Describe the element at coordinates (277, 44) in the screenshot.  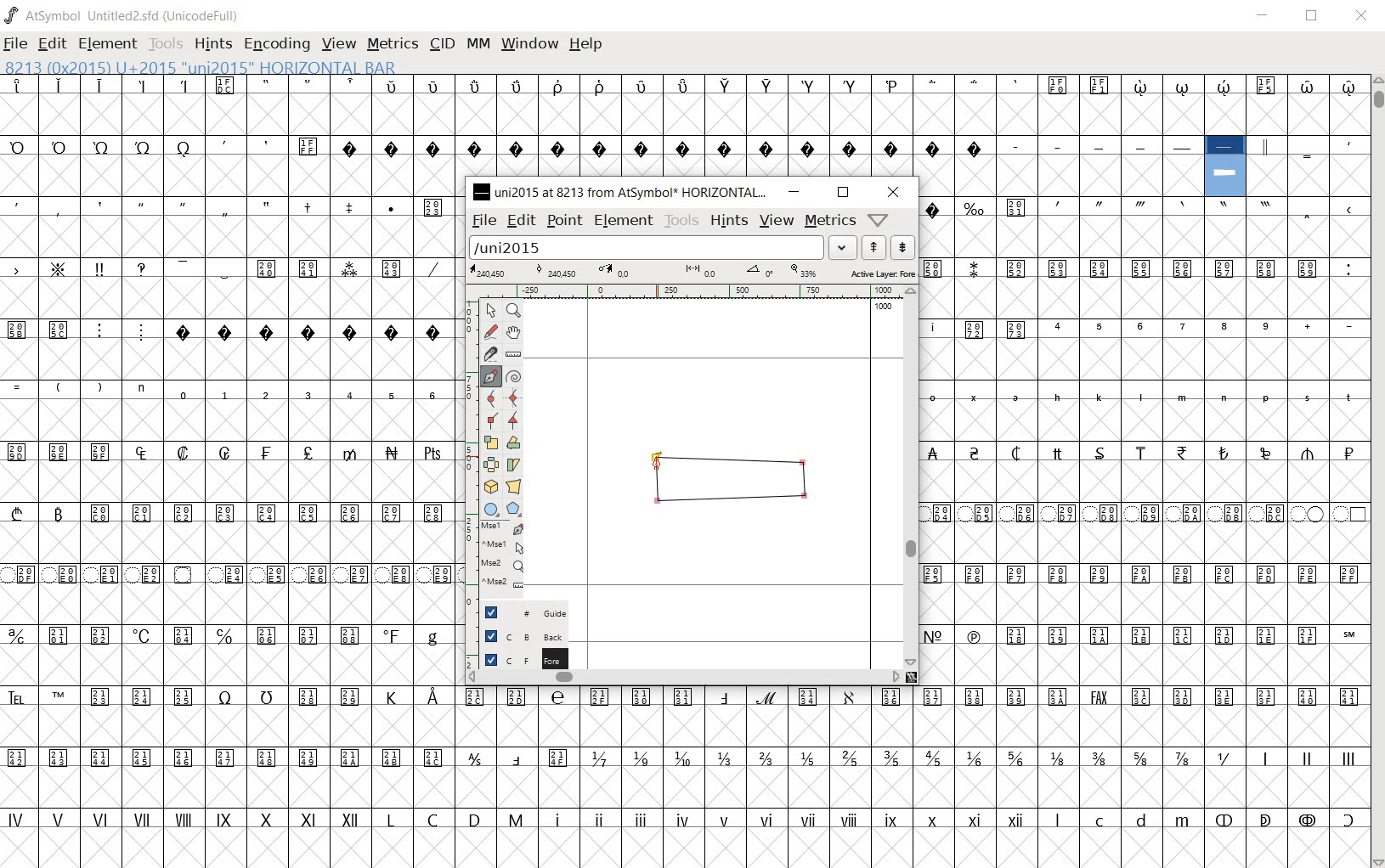
I see `ENCODING` at that location.